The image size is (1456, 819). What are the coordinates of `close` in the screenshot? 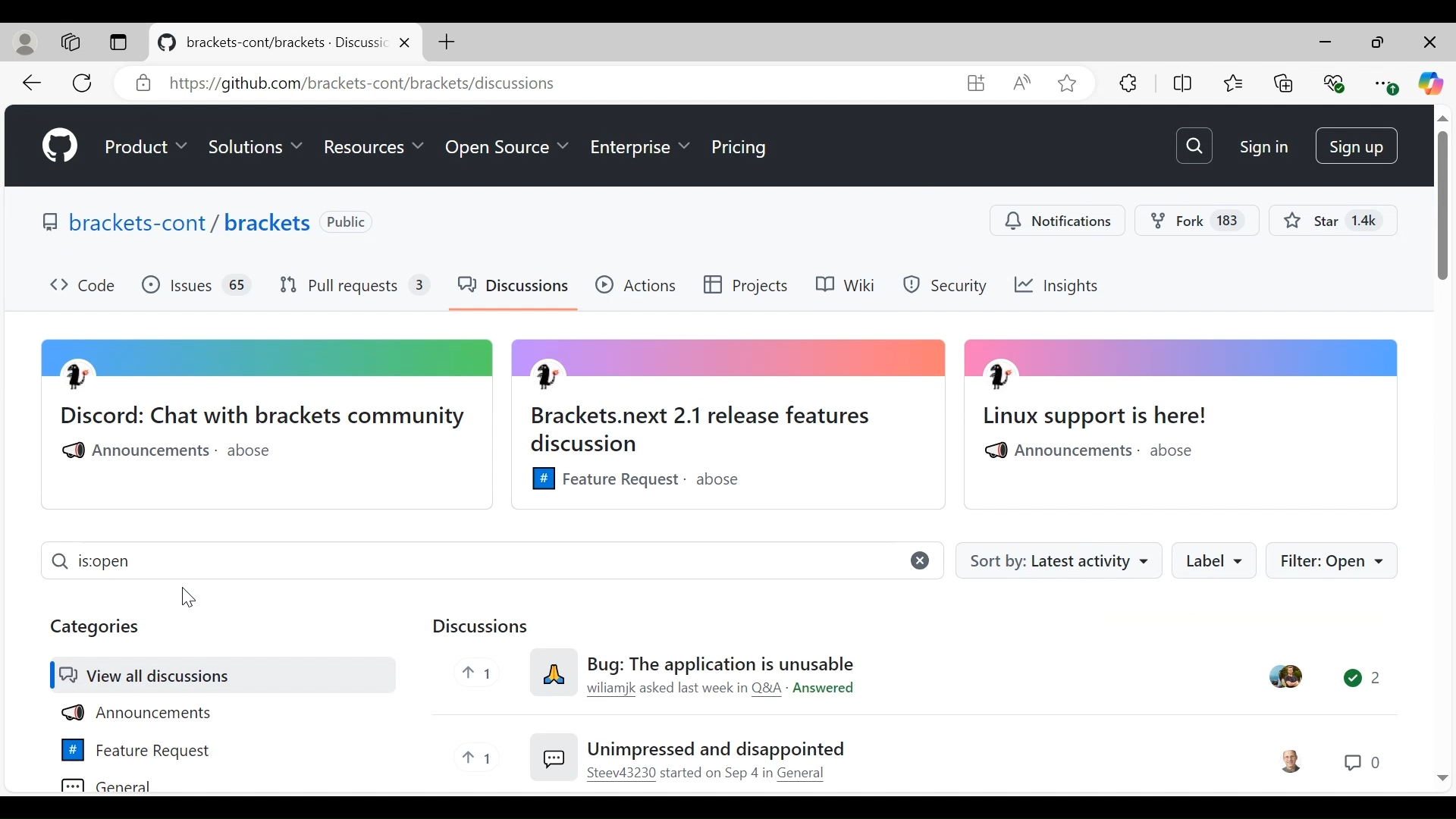 It's located at (407, 40).